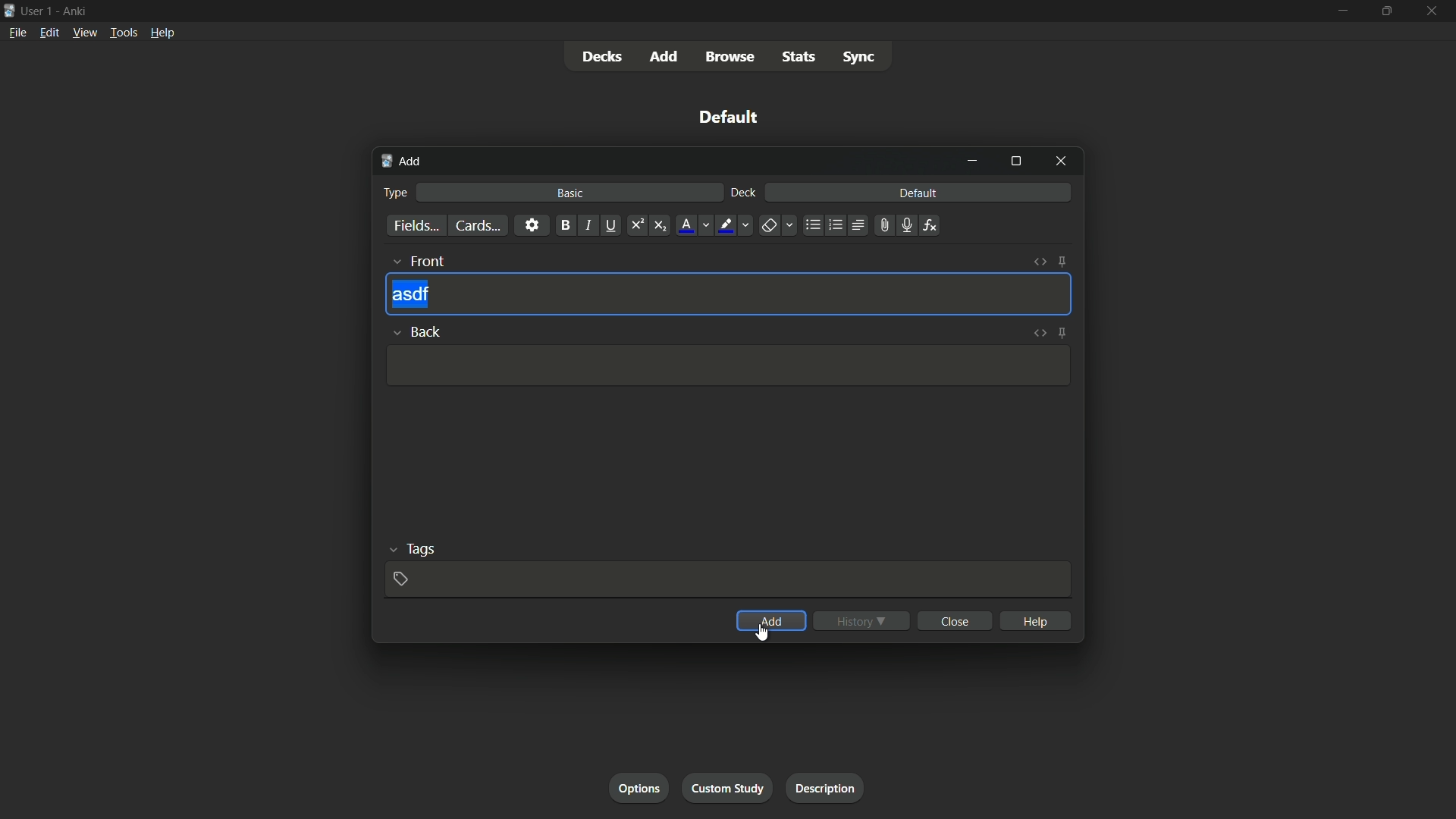 The image size is (1456, 819). Describe the element at coordinates (814, 225) in the screenshot. I see `unordered list` at that location.